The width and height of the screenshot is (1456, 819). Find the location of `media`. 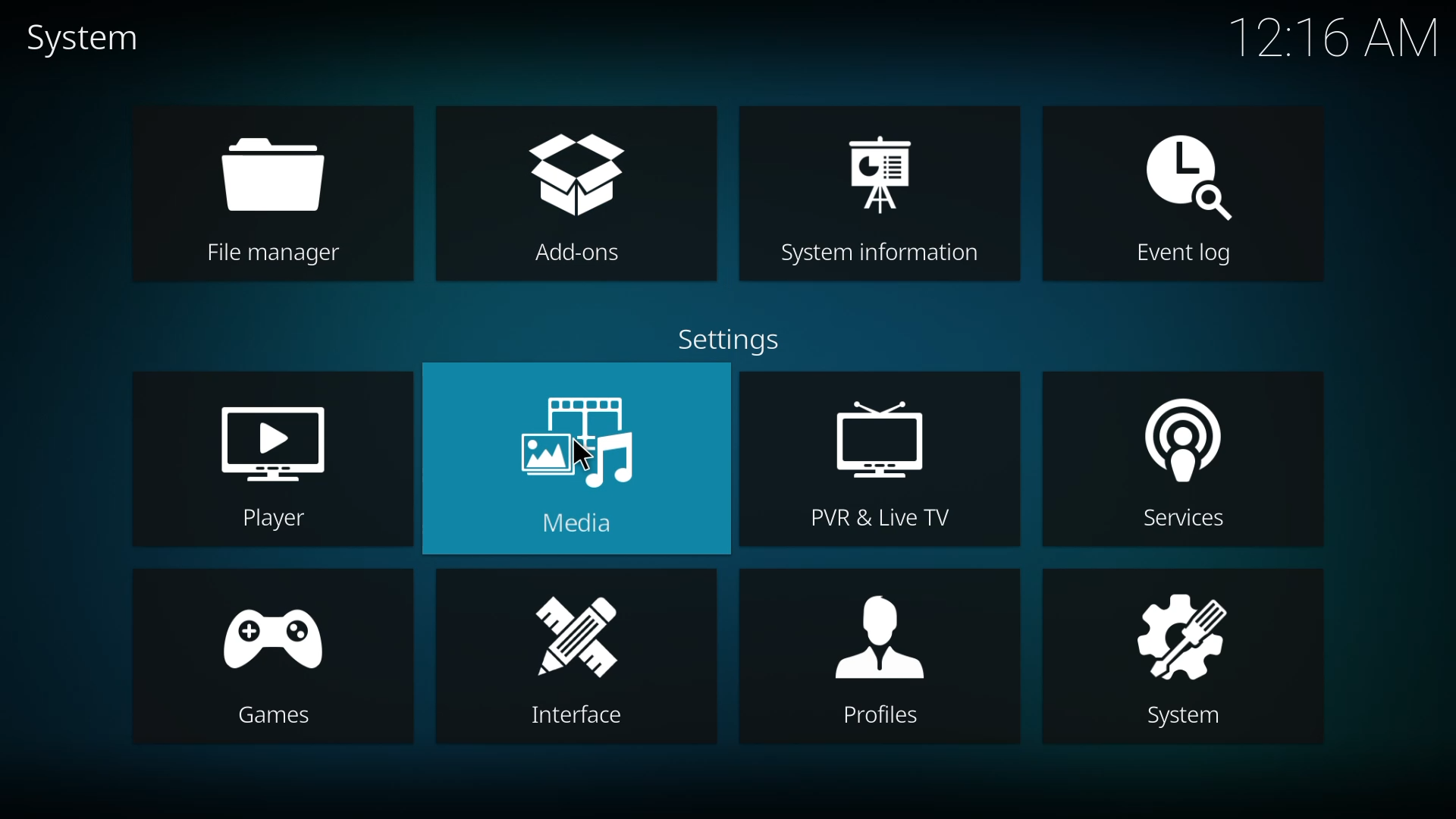

media is located at coordinates (574, 440).